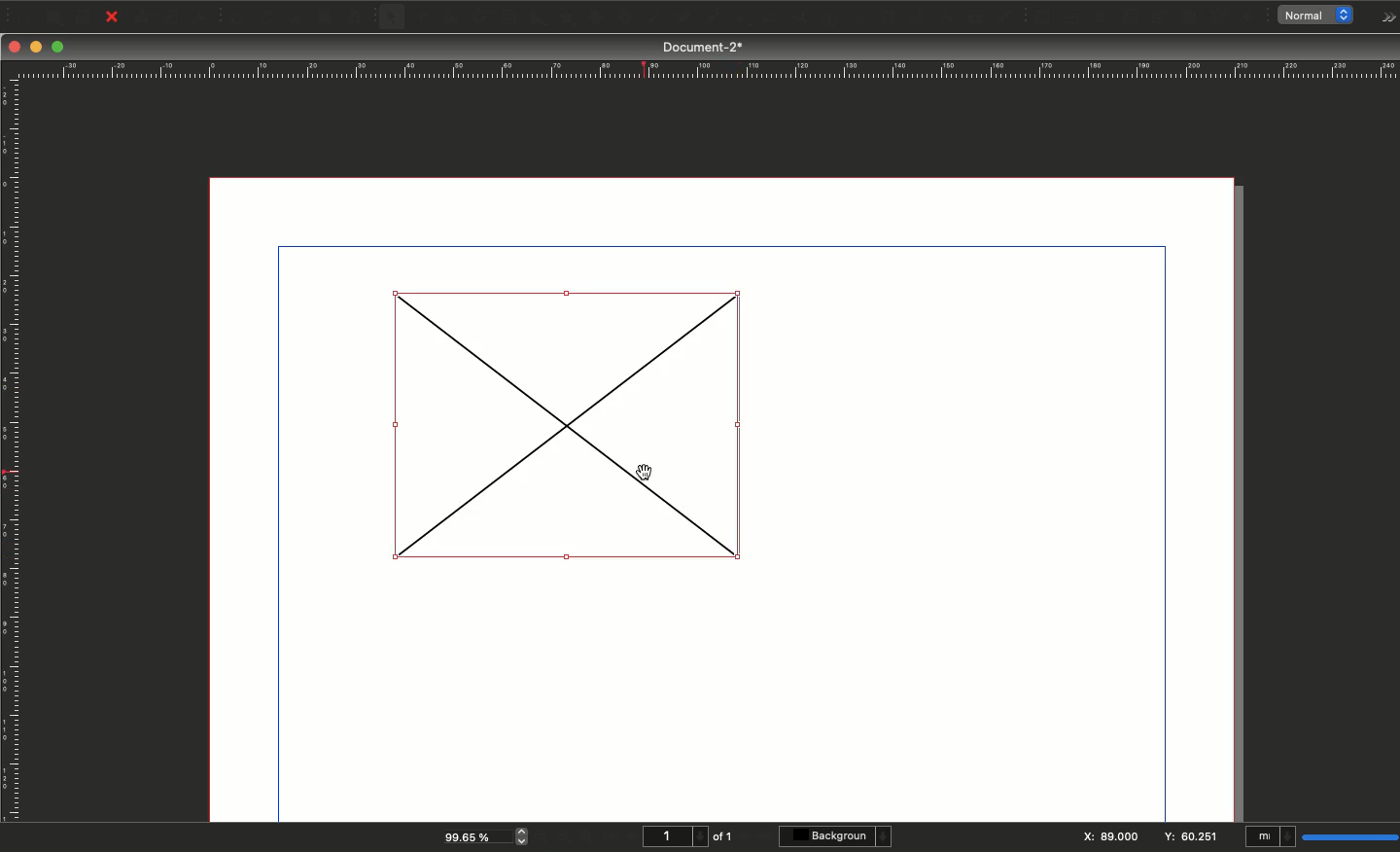 This screenshot has height=852, width=1400. I want to click on Image inserter, so click(566, 426).